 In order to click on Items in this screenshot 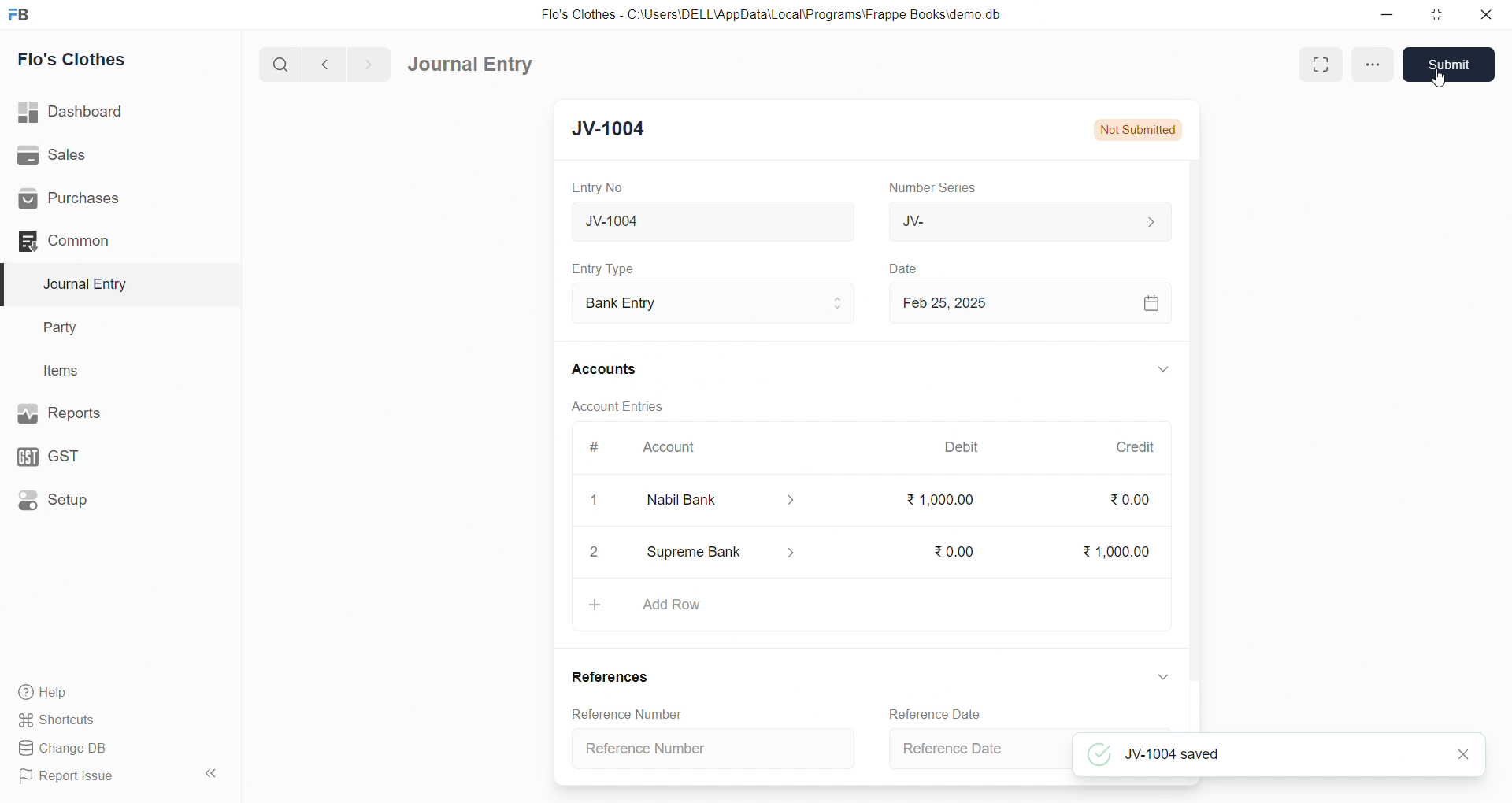, I will do `click(109, 372)`.